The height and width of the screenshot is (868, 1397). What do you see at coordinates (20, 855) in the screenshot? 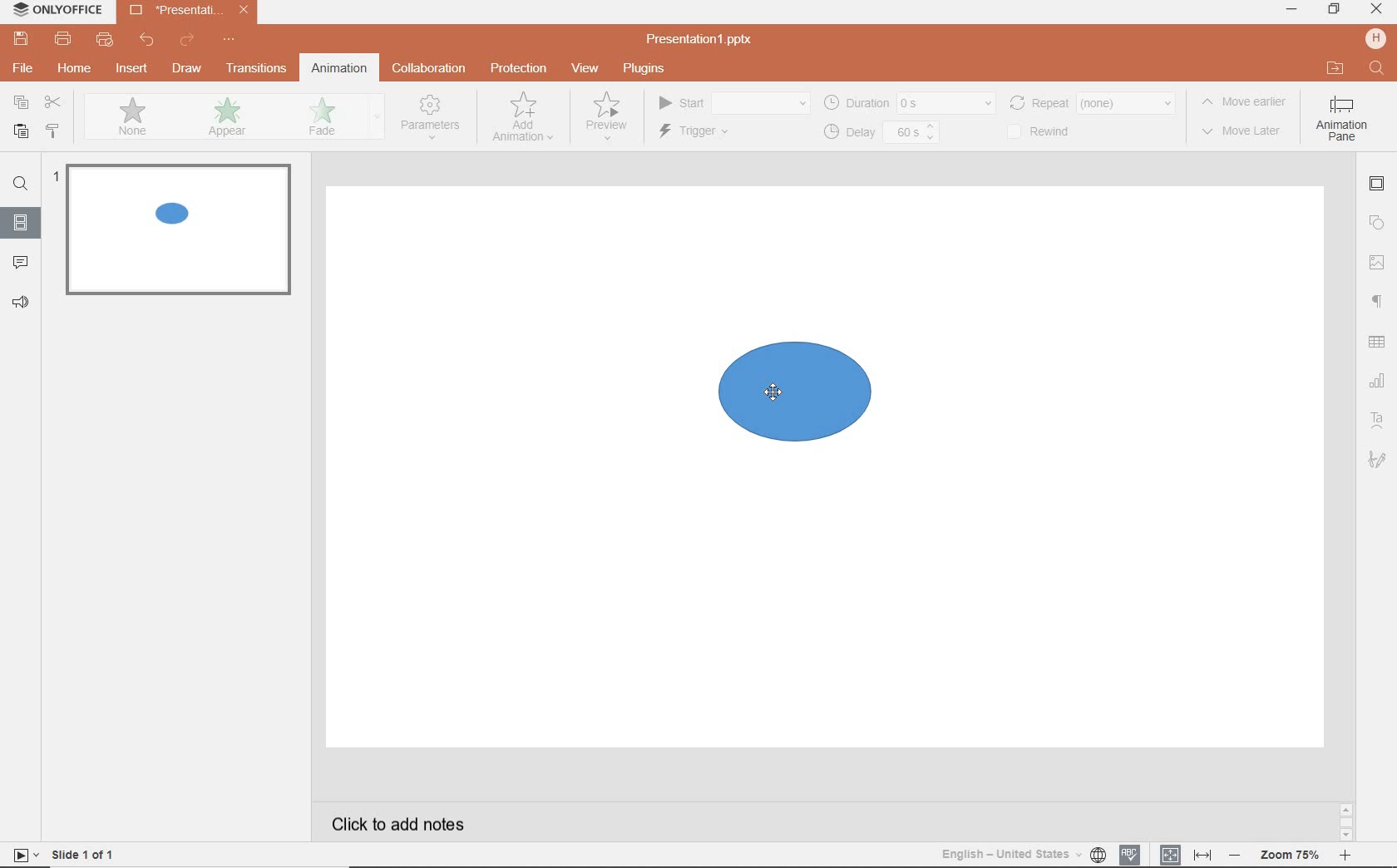
I see `start slide show` at bounding box center [20, 855].